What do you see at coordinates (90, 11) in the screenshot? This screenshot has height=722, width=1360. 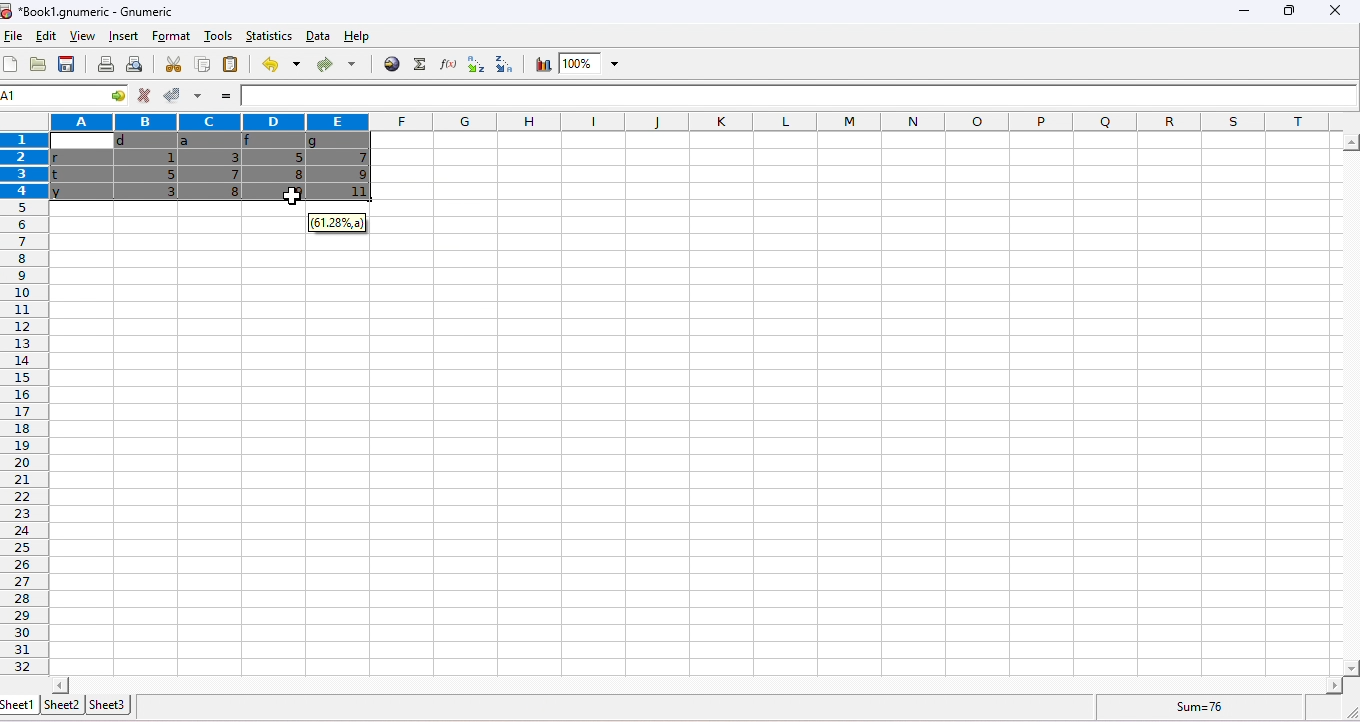 I see `title` at bounding box center [90, 11].